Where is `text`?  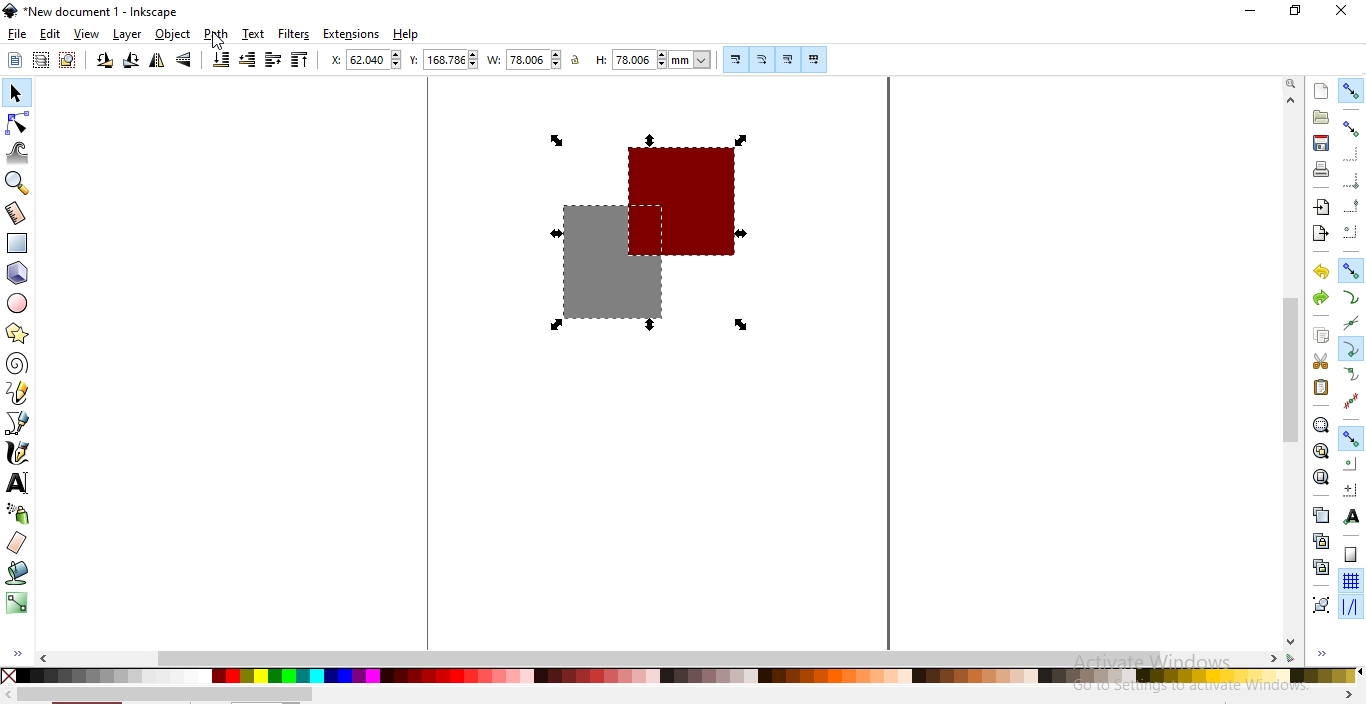 text is located at coordinates (253, 33).